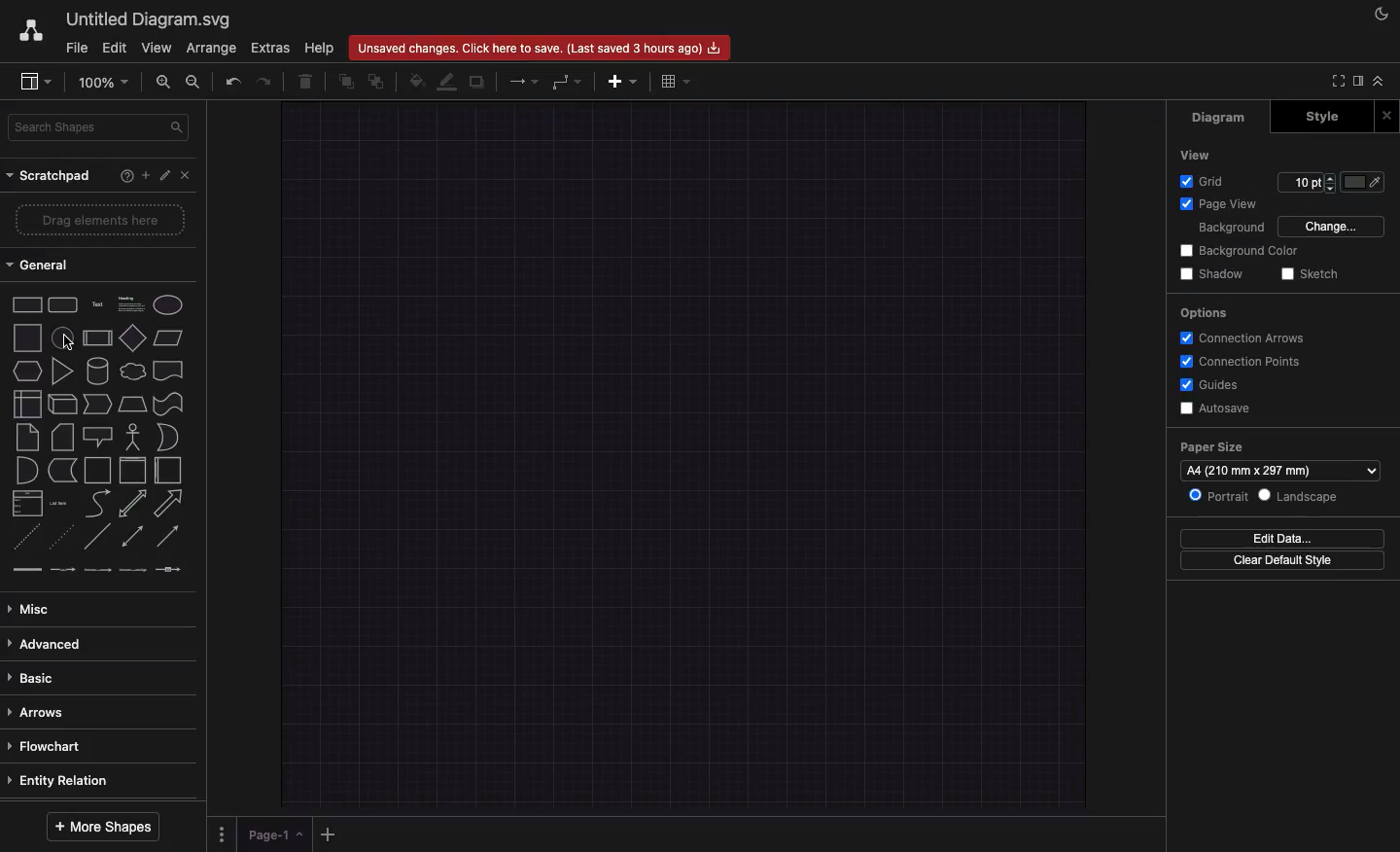 The height and width of the screenshot is (852, 1400). I want to click on Fulscreen, so click(1337, 81).